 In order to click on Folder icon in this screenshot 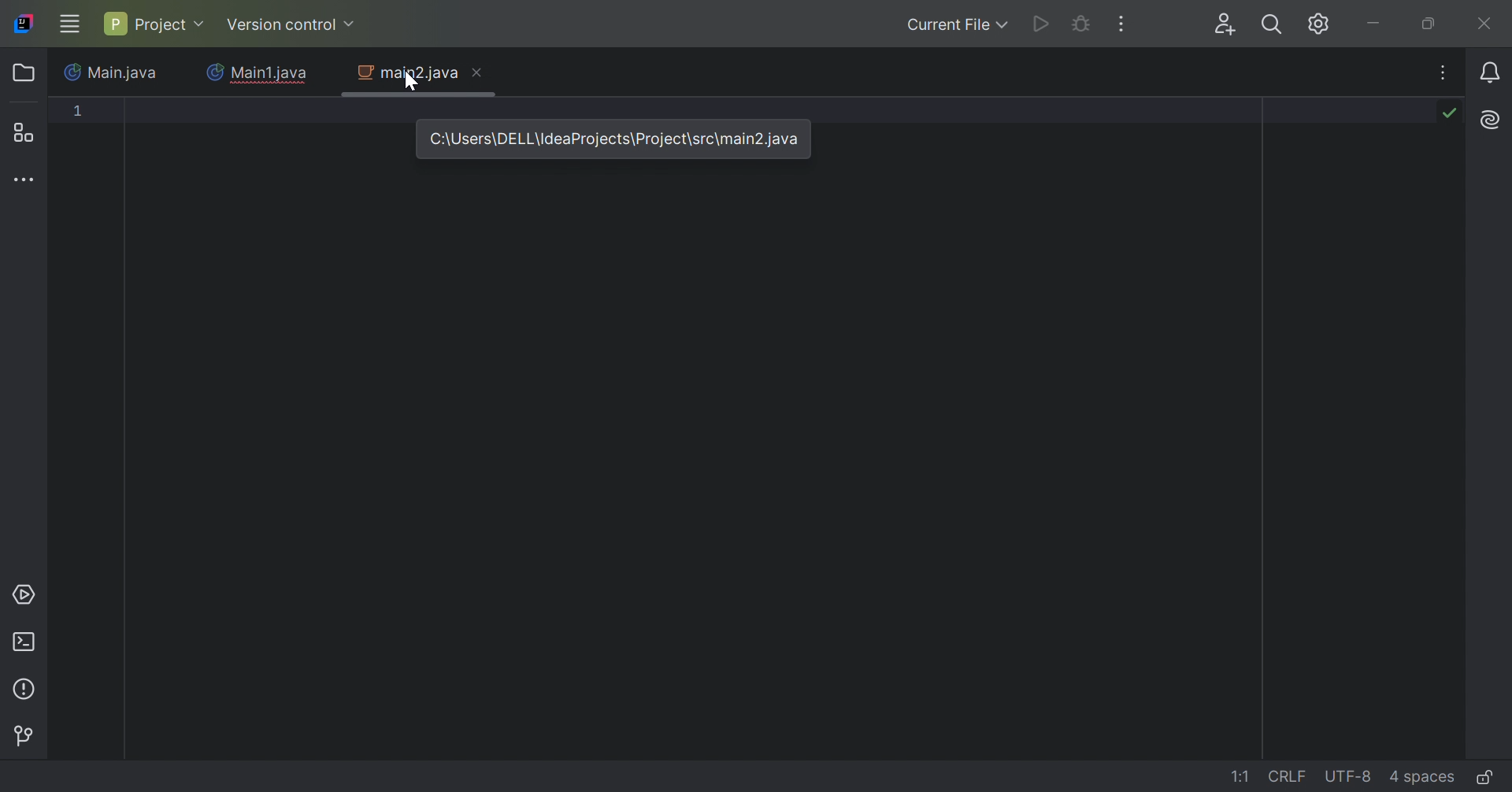, I will do `click(23, 72)`.